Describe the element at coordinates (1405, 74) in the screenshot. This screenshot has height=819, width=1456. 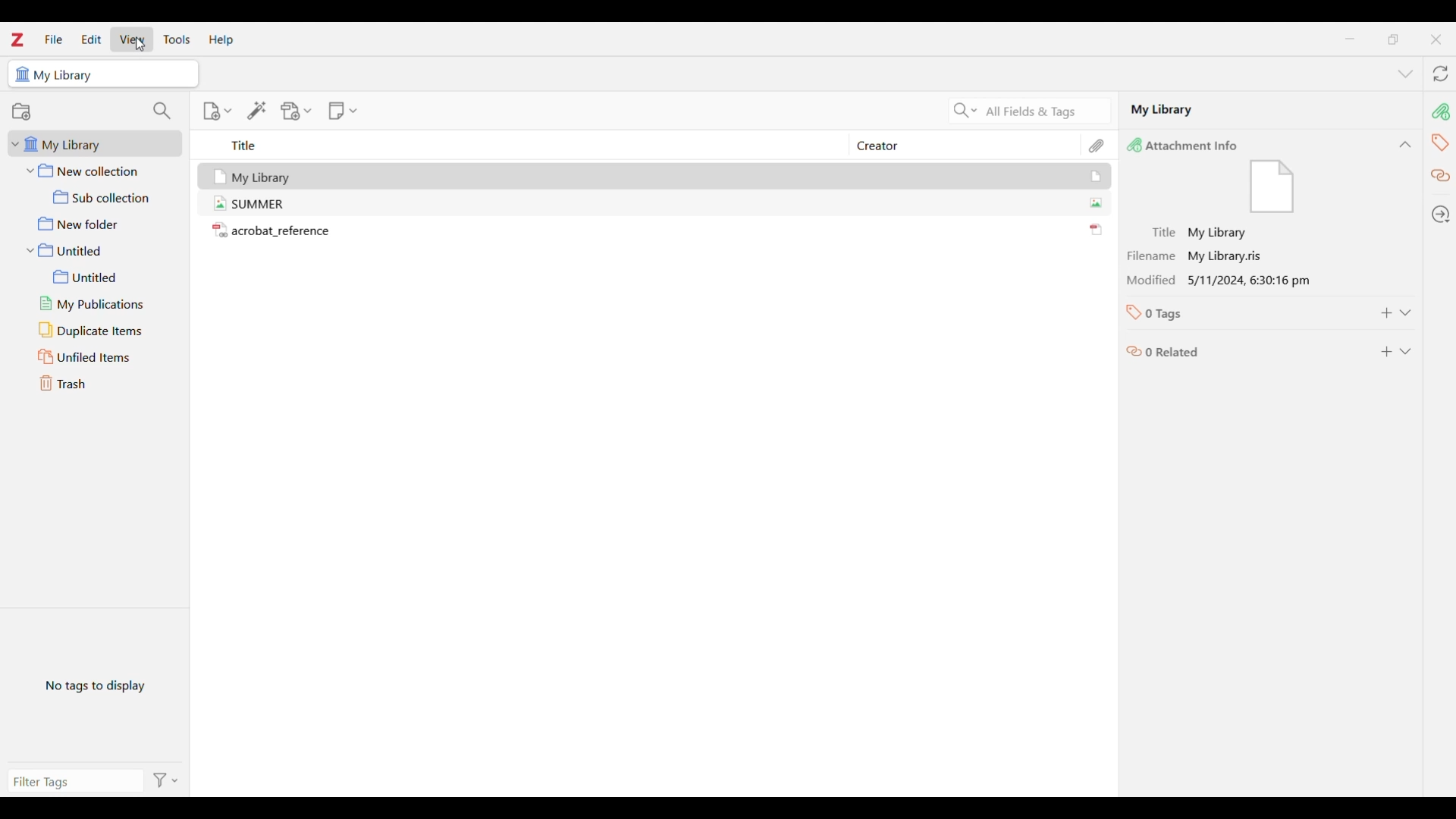
I see `List all tabs` at that location.